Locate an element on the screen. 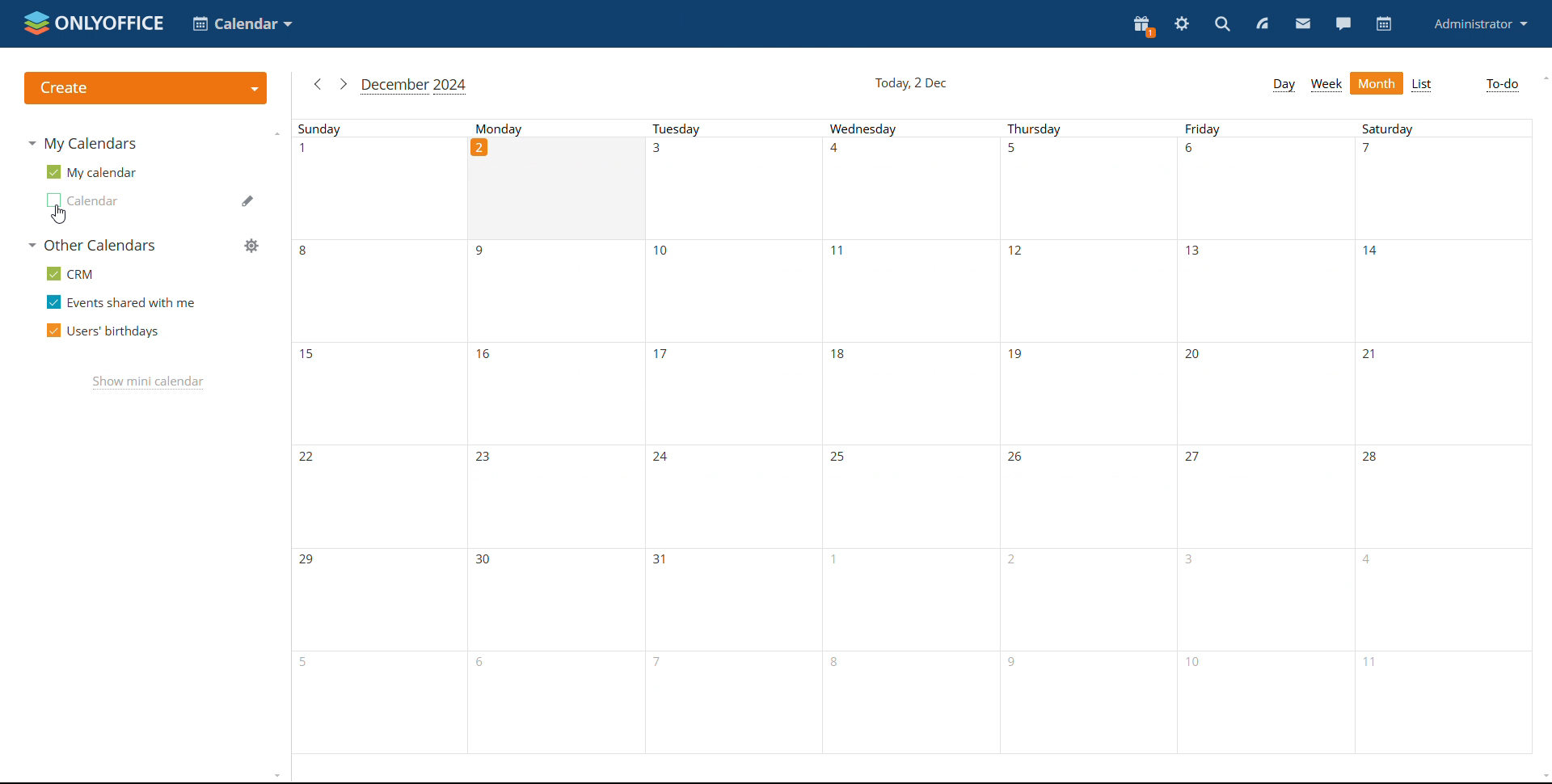  list view is located at coordinates (1421, 85).